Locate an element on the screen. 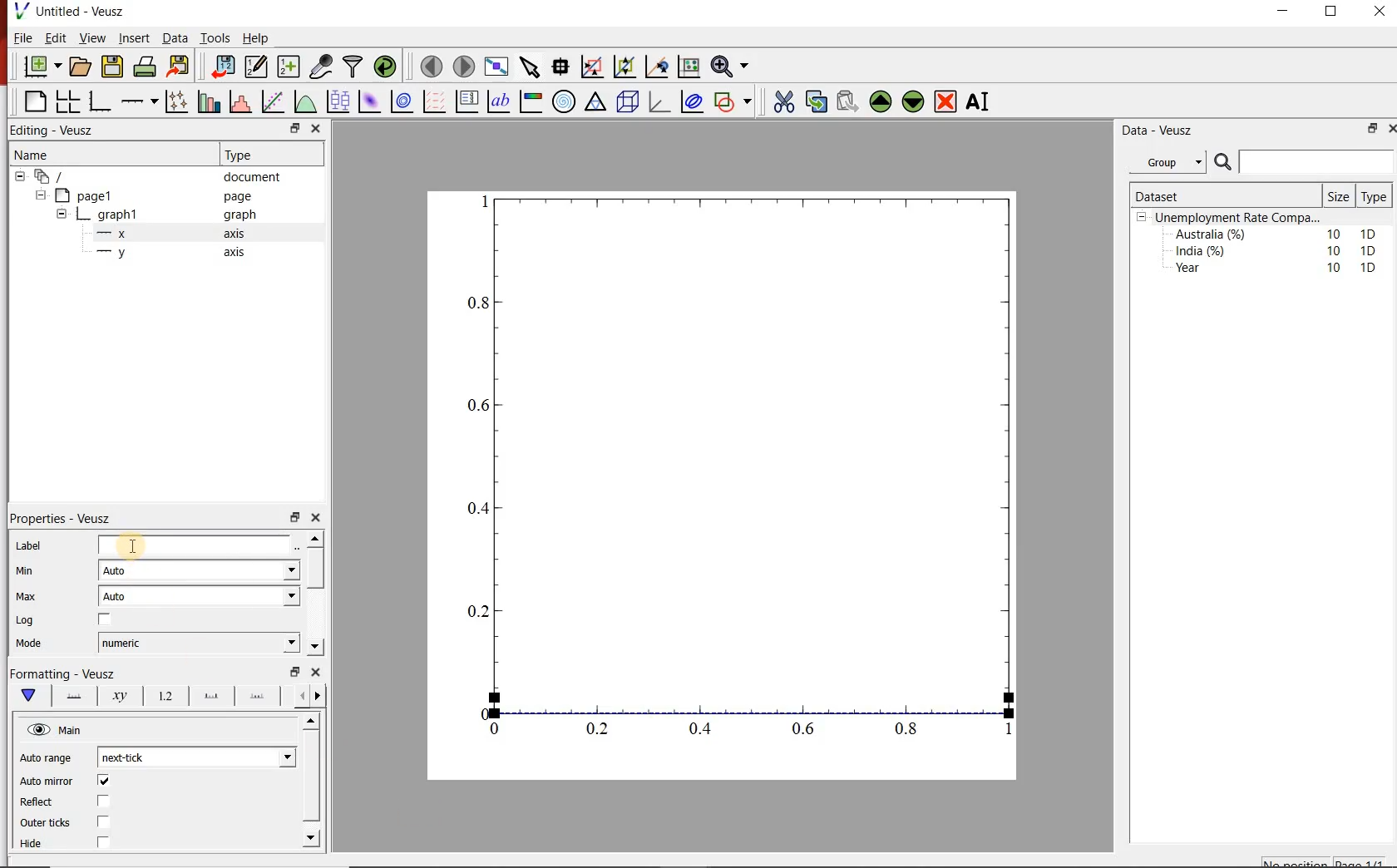  ‘document is located at coordinates (155, 175).